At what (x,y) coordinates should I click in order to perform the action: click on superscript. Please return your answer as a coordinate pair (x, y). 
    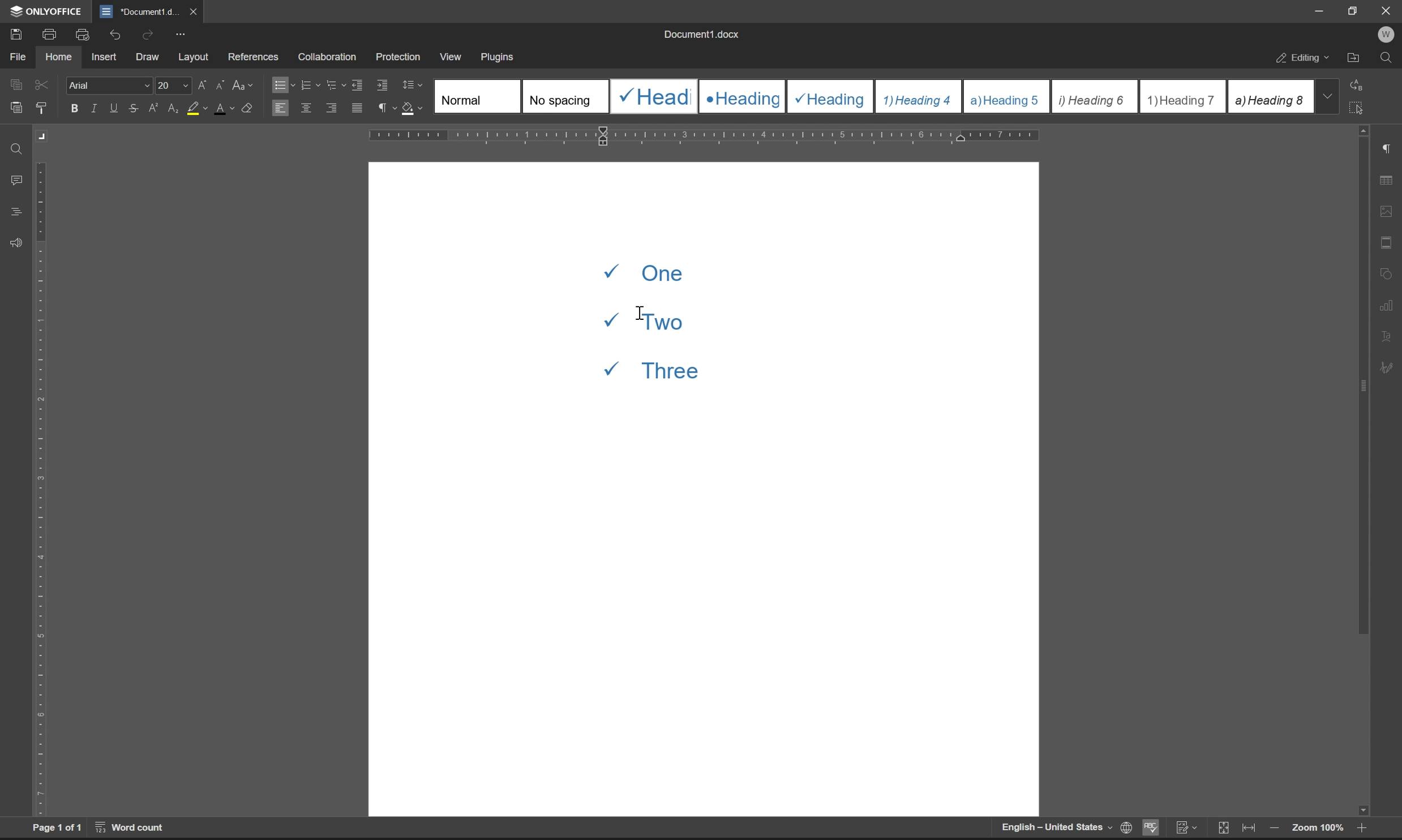
    Looking at the image, I should click on (155, 108).